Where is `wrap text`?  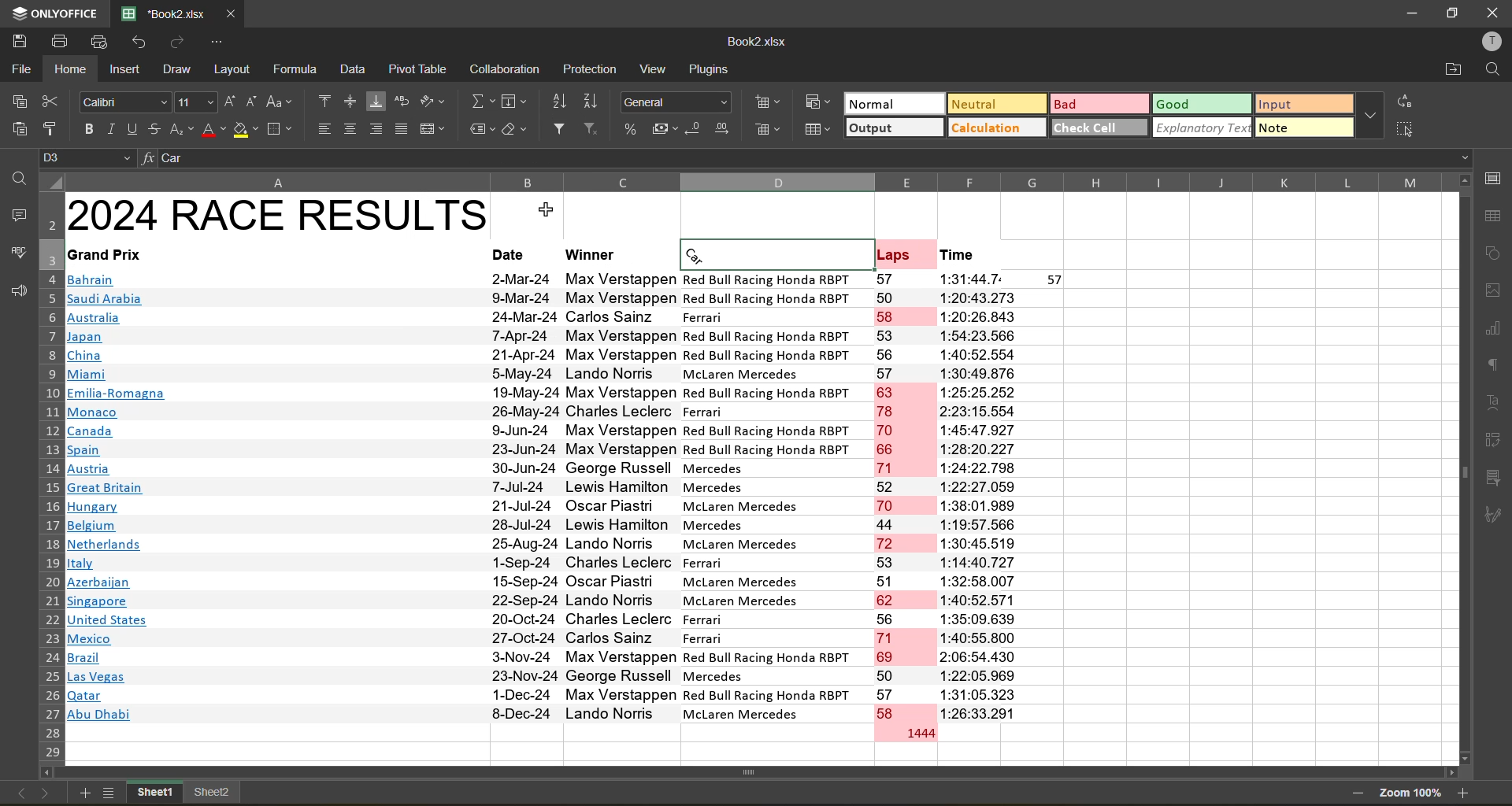 wrap text is located at coordinates (401, 103).